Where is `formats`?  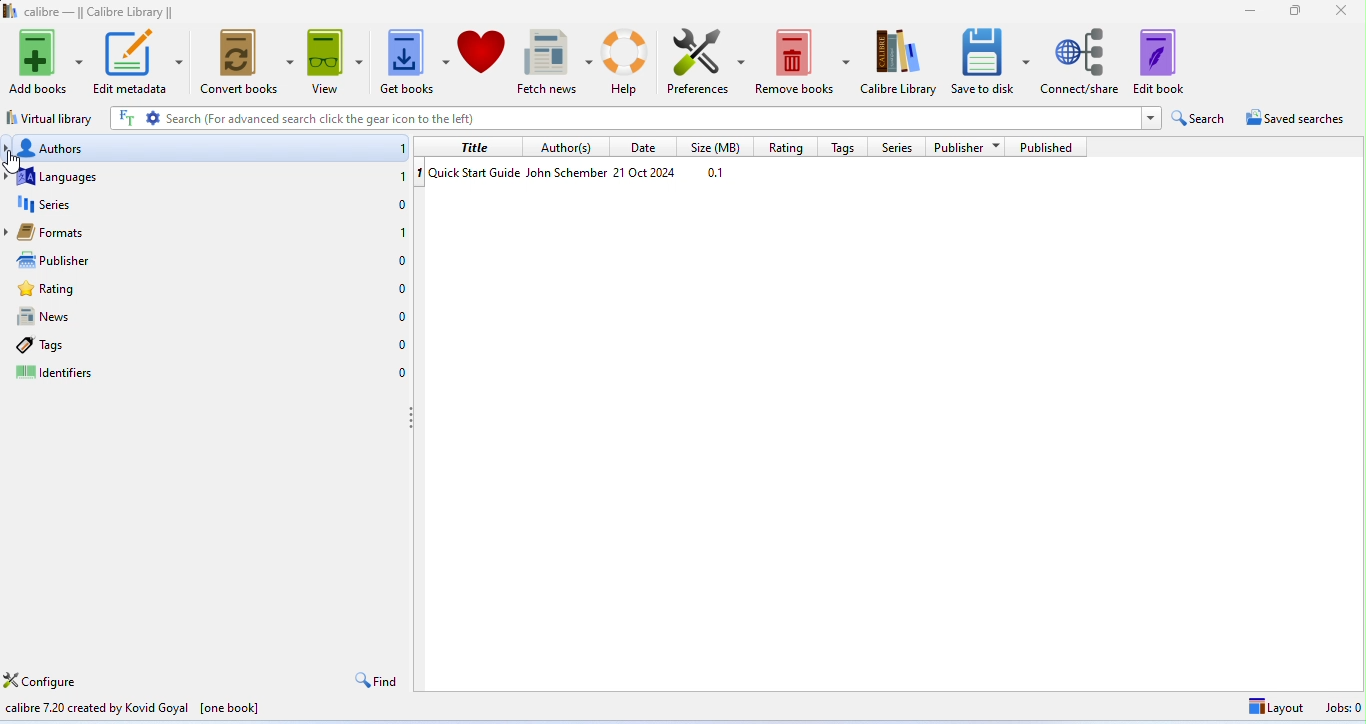
formats is located at coordinates (216, 232).